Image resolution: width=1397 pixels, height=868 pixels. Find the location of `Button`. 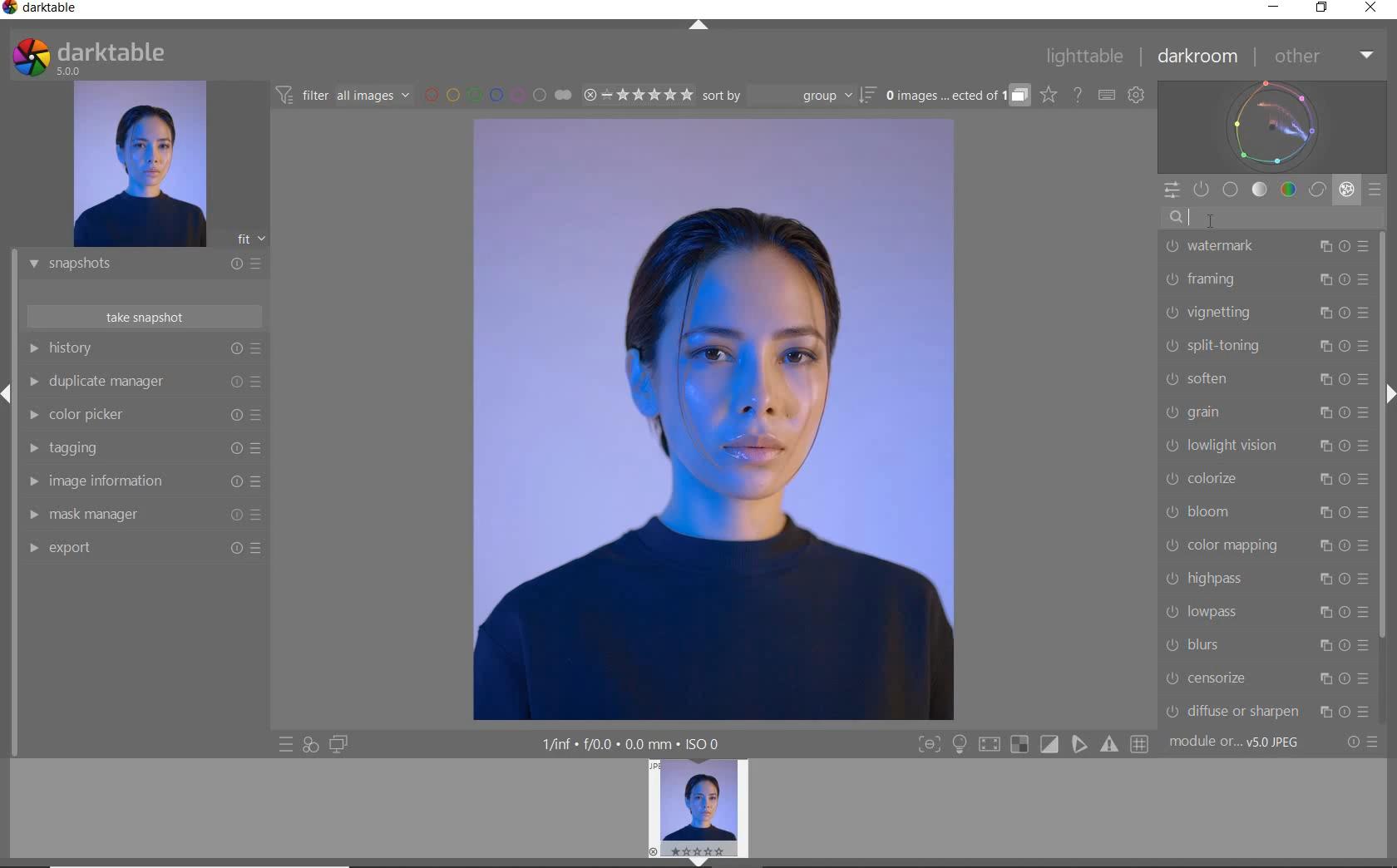

Button is located at coordinates (1019, 745).